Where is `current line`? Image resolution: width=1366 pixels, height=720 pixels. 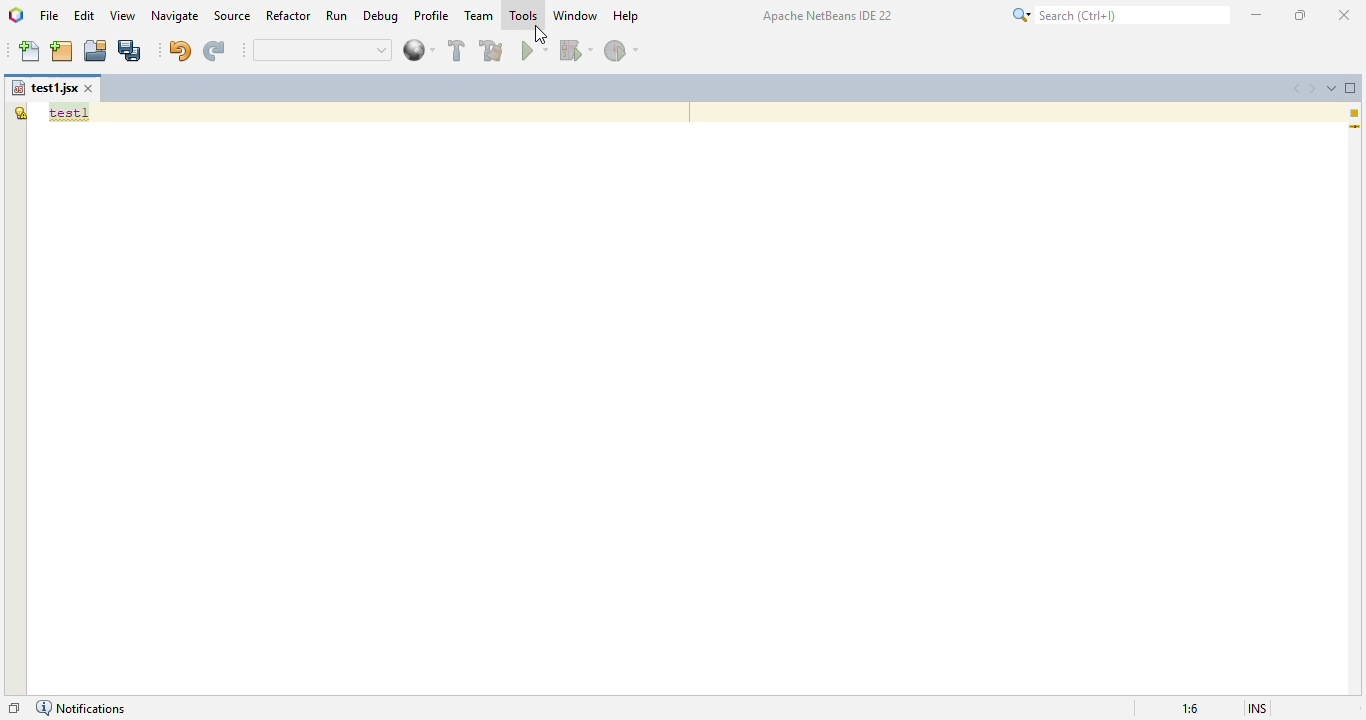 current line is located at coordinates (1355, 128).